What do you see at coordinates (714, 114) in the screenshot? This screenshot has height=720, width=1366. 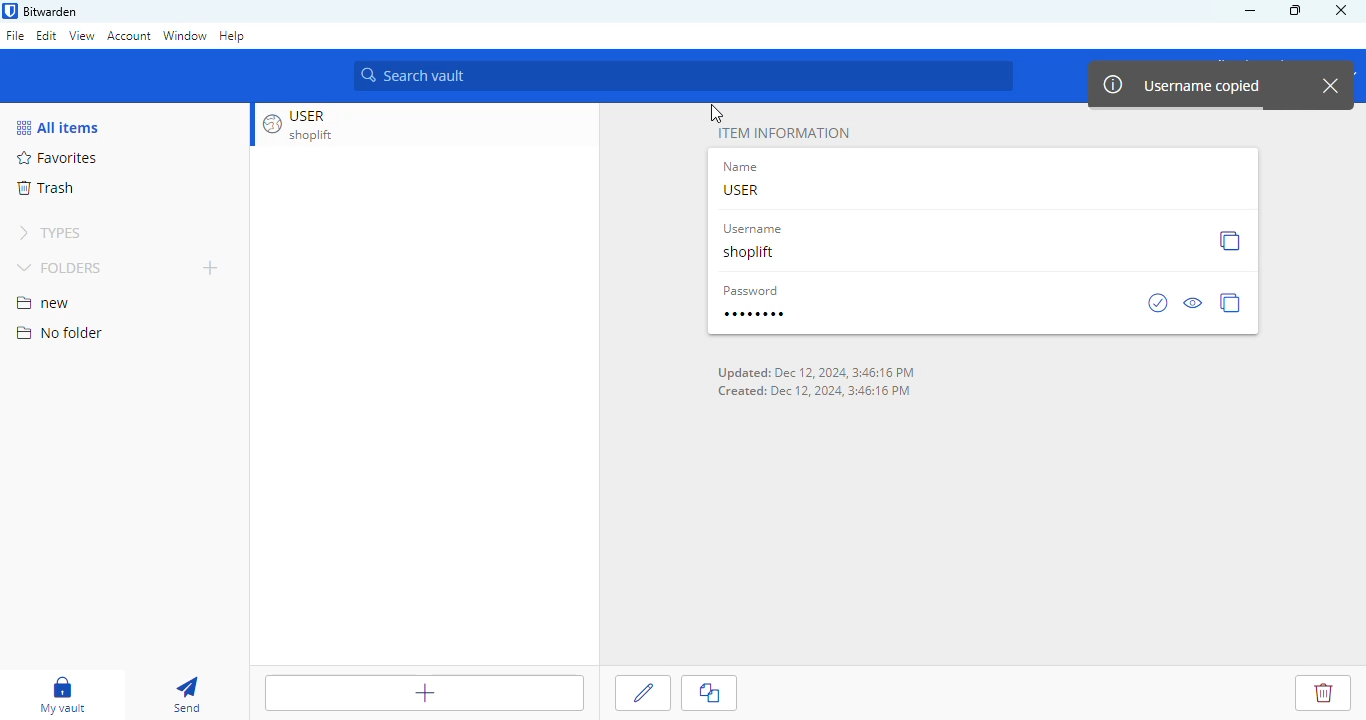 I see `cursor` at bounding box center [714, 114].